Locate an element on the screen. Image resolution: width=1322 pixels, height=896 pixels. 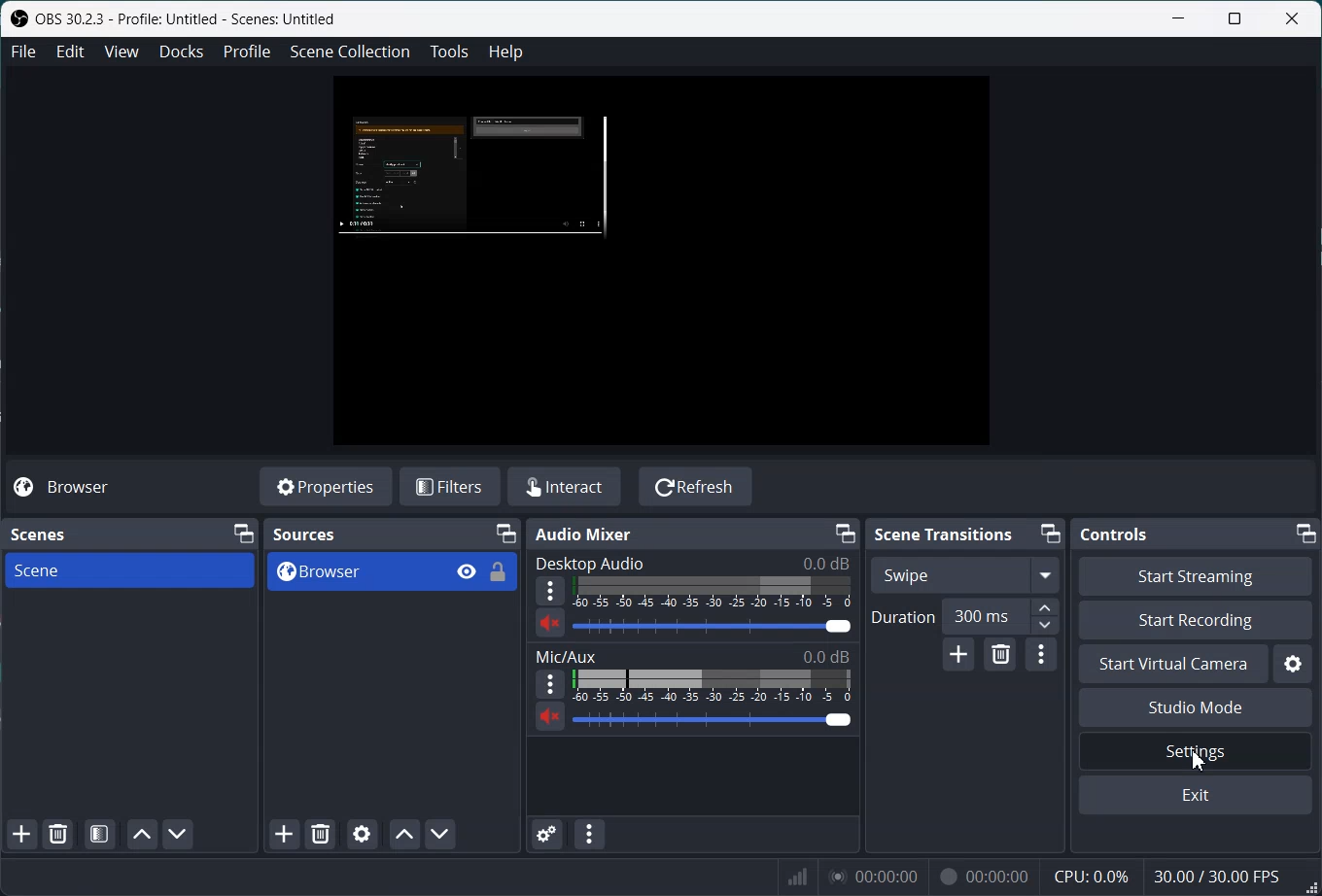
Minimize is located at coordinates (505, 534).